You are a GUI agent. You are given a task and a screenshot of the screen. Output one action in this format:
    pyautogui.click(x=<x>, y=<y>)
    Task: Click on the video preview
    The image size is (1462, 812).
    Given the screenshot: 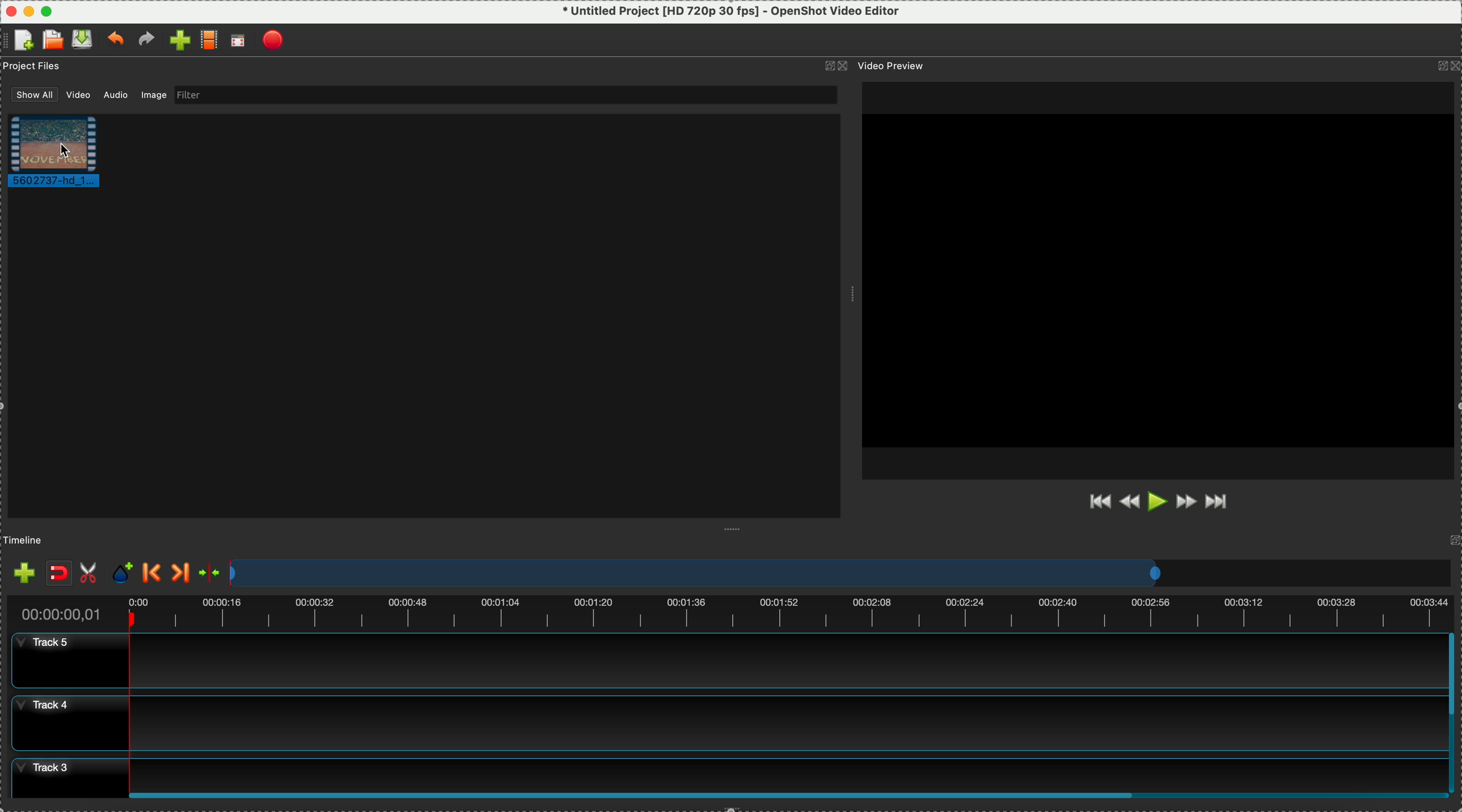 What is the action you would take?
    pyautogui.click(x=899, y=66)
    